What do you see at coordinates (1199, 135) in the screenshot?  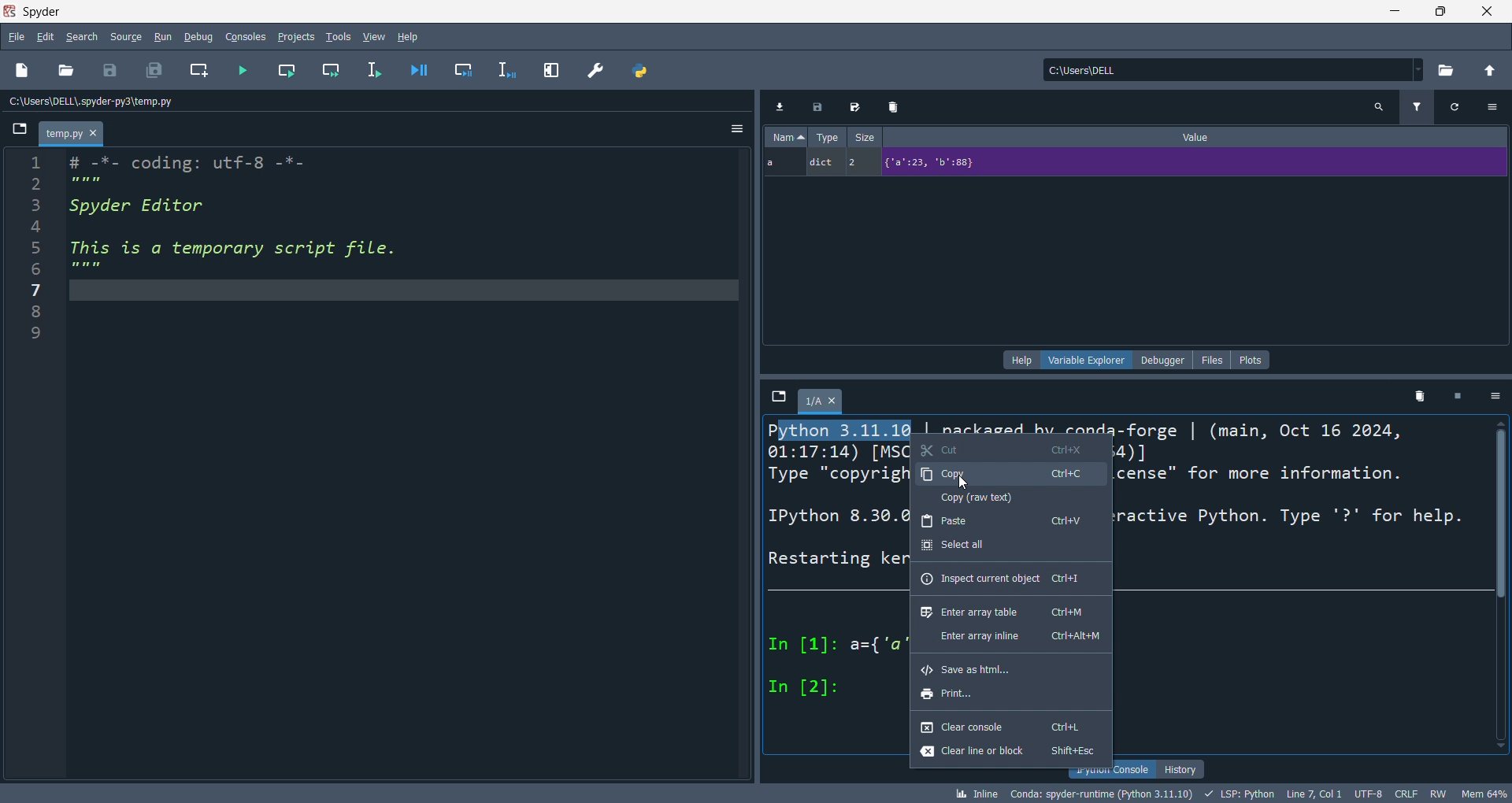 I see `value` at bounding box center [1199, 135].